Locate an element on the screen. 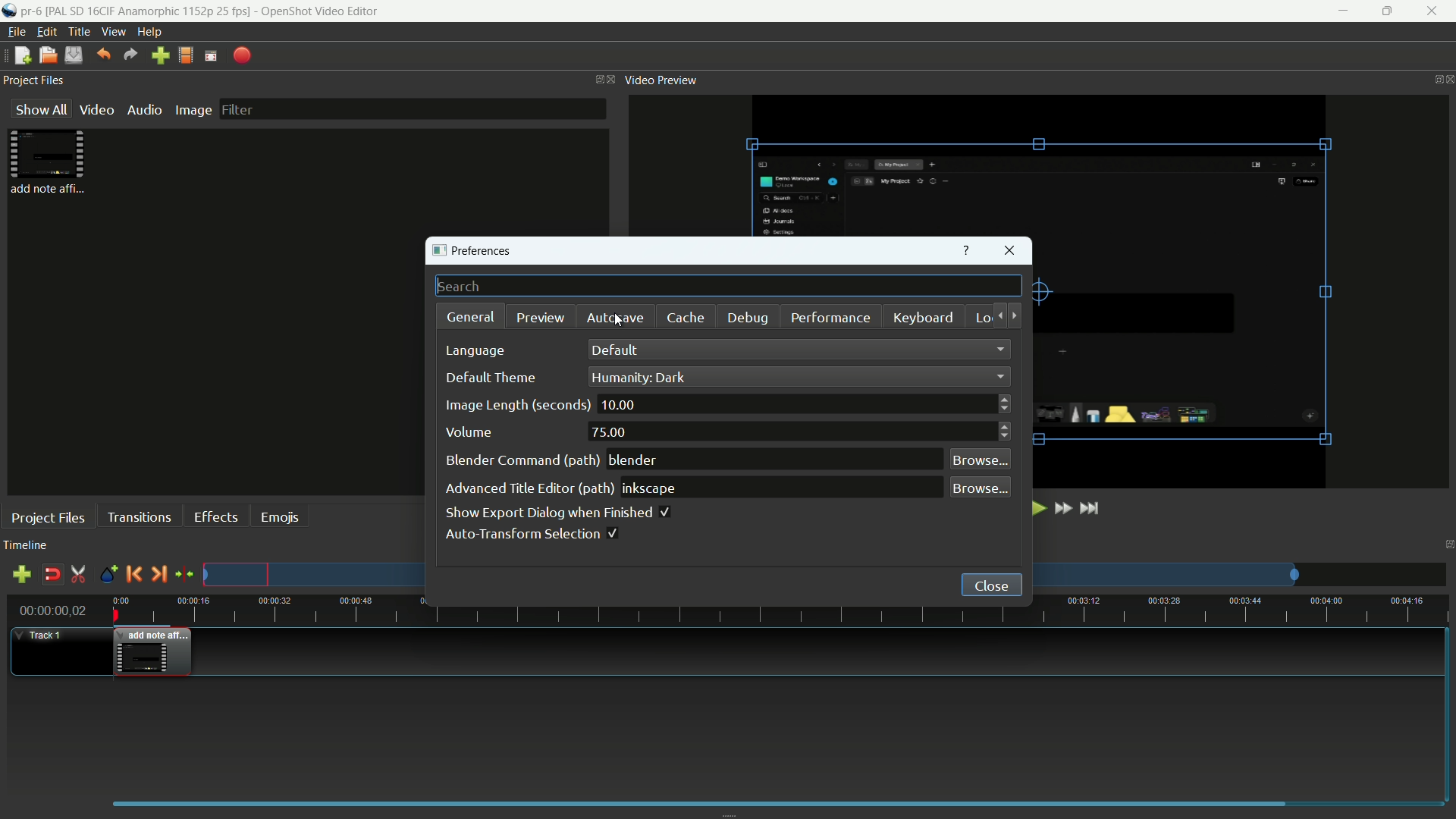 This screenshot has width=1456, height=819. show all is located at coordinates (39, 108).